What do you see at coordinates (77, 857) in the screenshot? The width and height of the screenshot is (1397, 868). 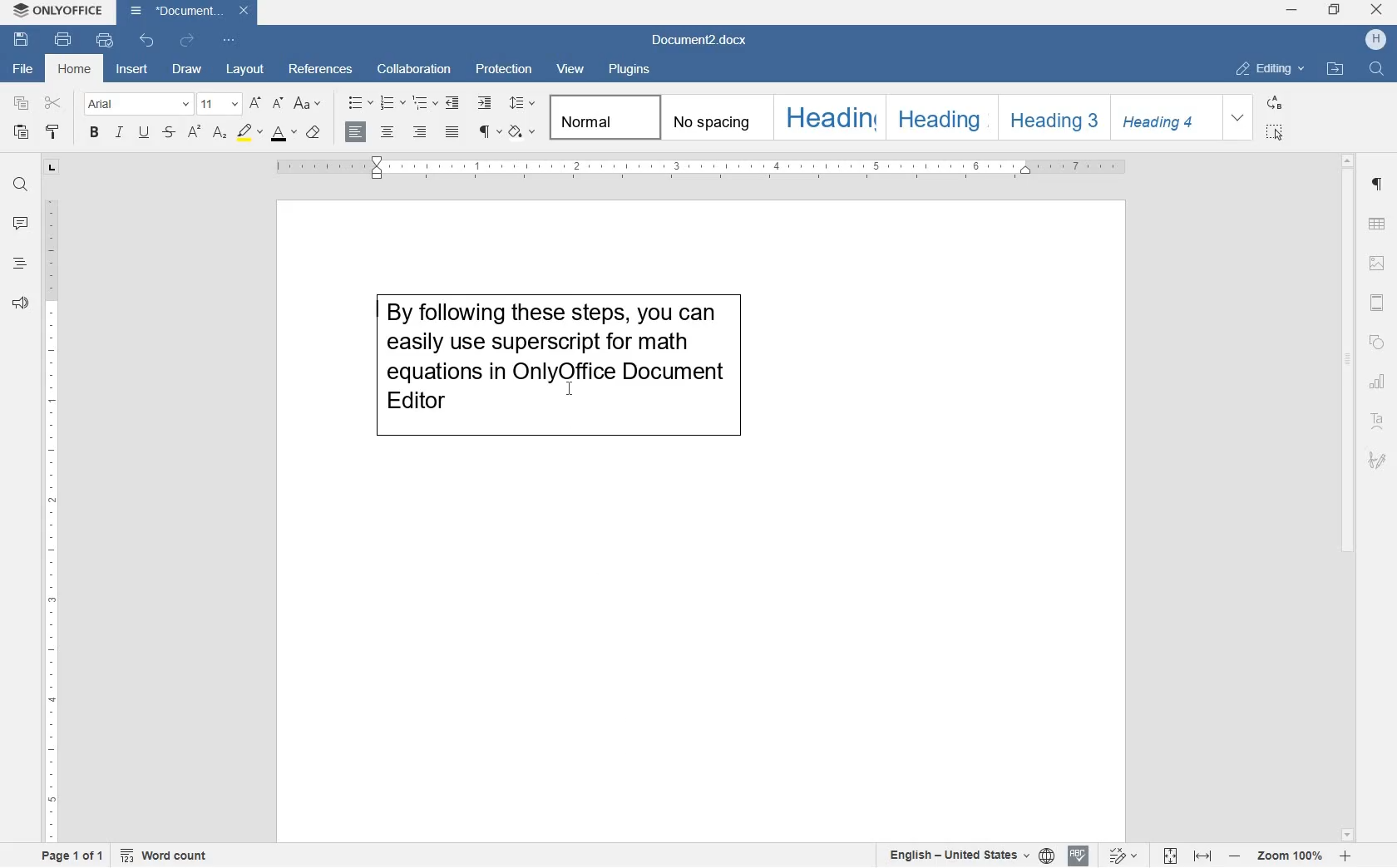 I see `page 1 of 1` at bounding box center [77, 857].